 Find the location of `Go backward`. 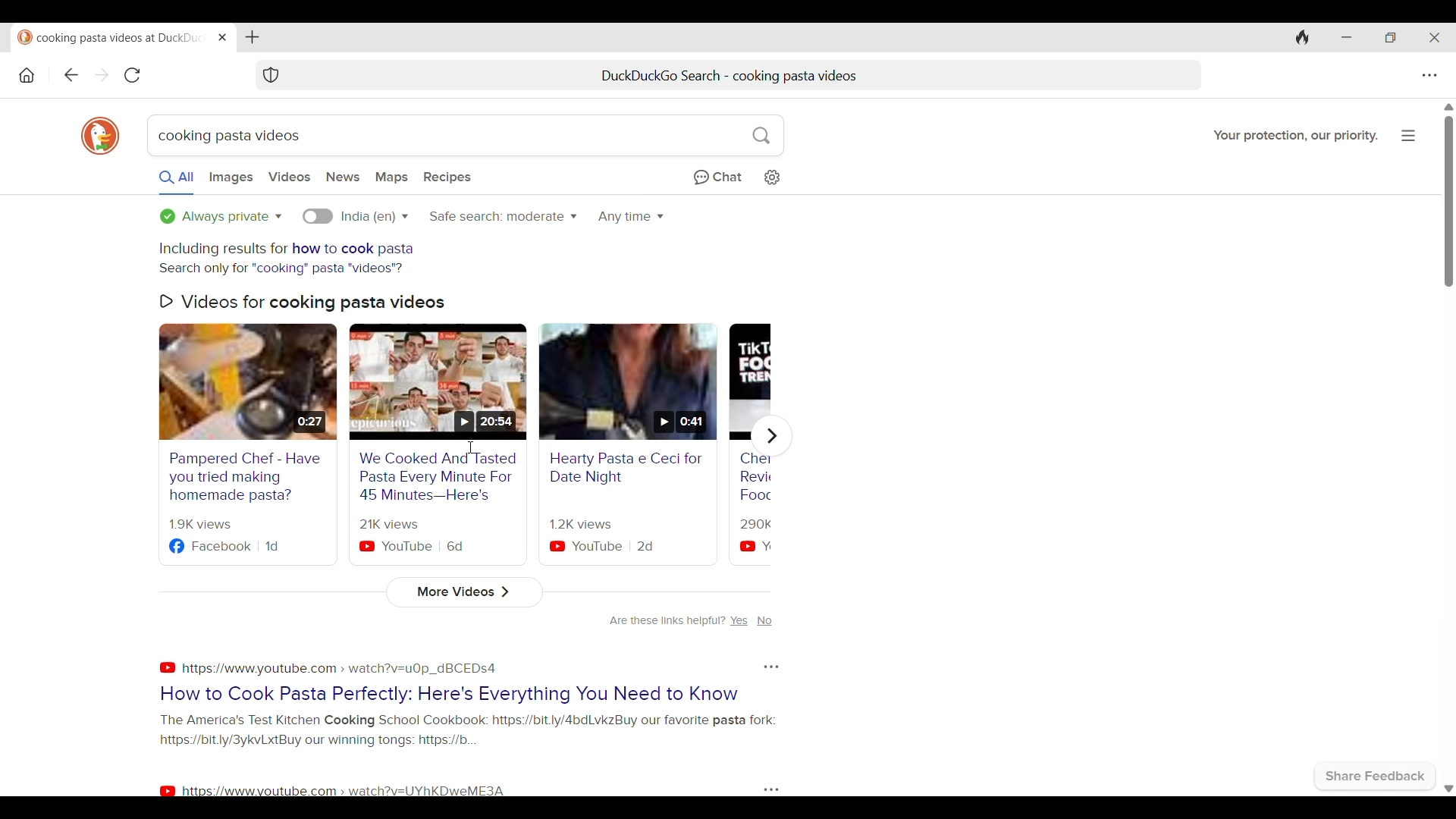

Go backward is located at coordinates (72, 75).